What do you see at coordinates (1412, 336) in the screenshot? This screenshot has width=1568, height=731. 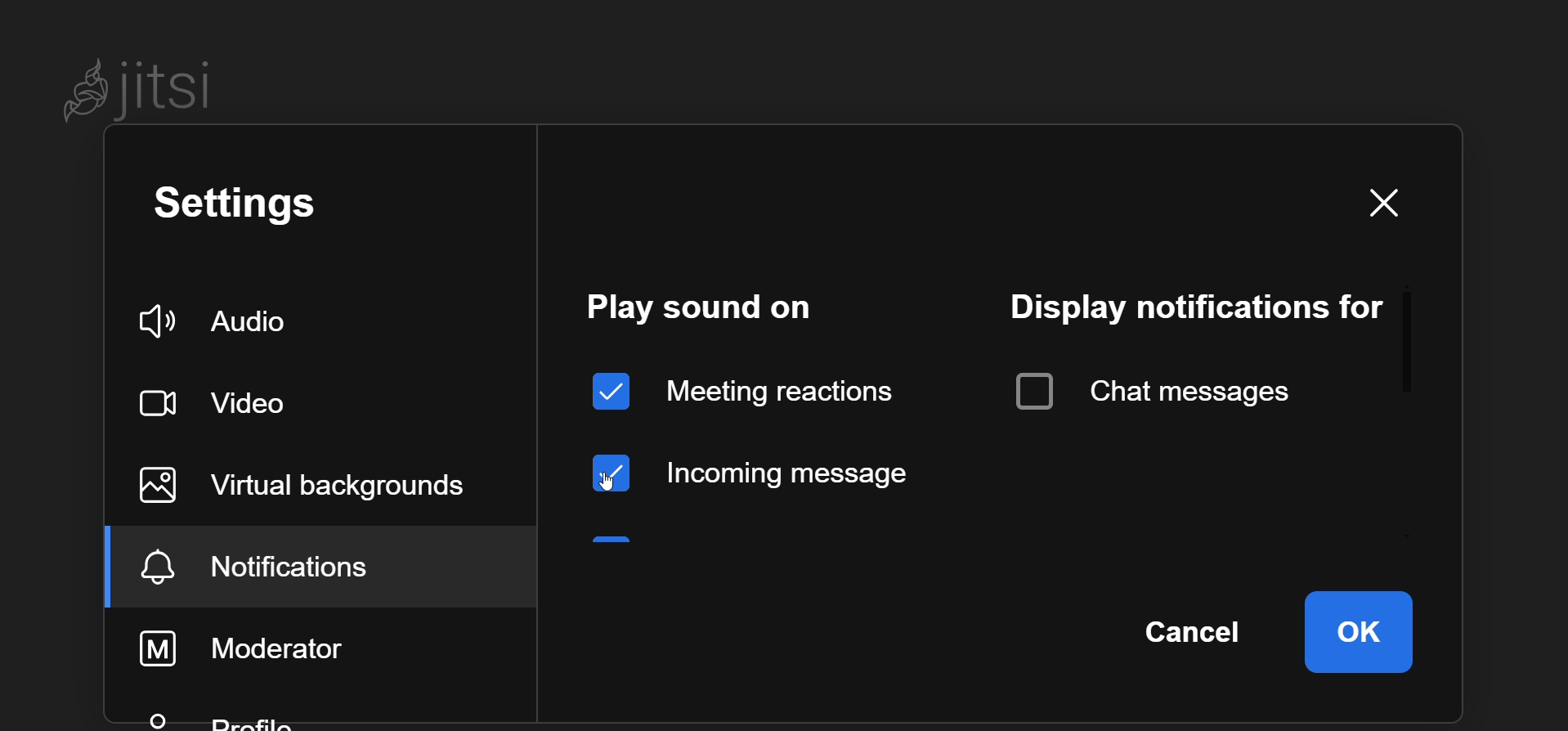 I see `scroll bar` at bounding box center [1412, 336].